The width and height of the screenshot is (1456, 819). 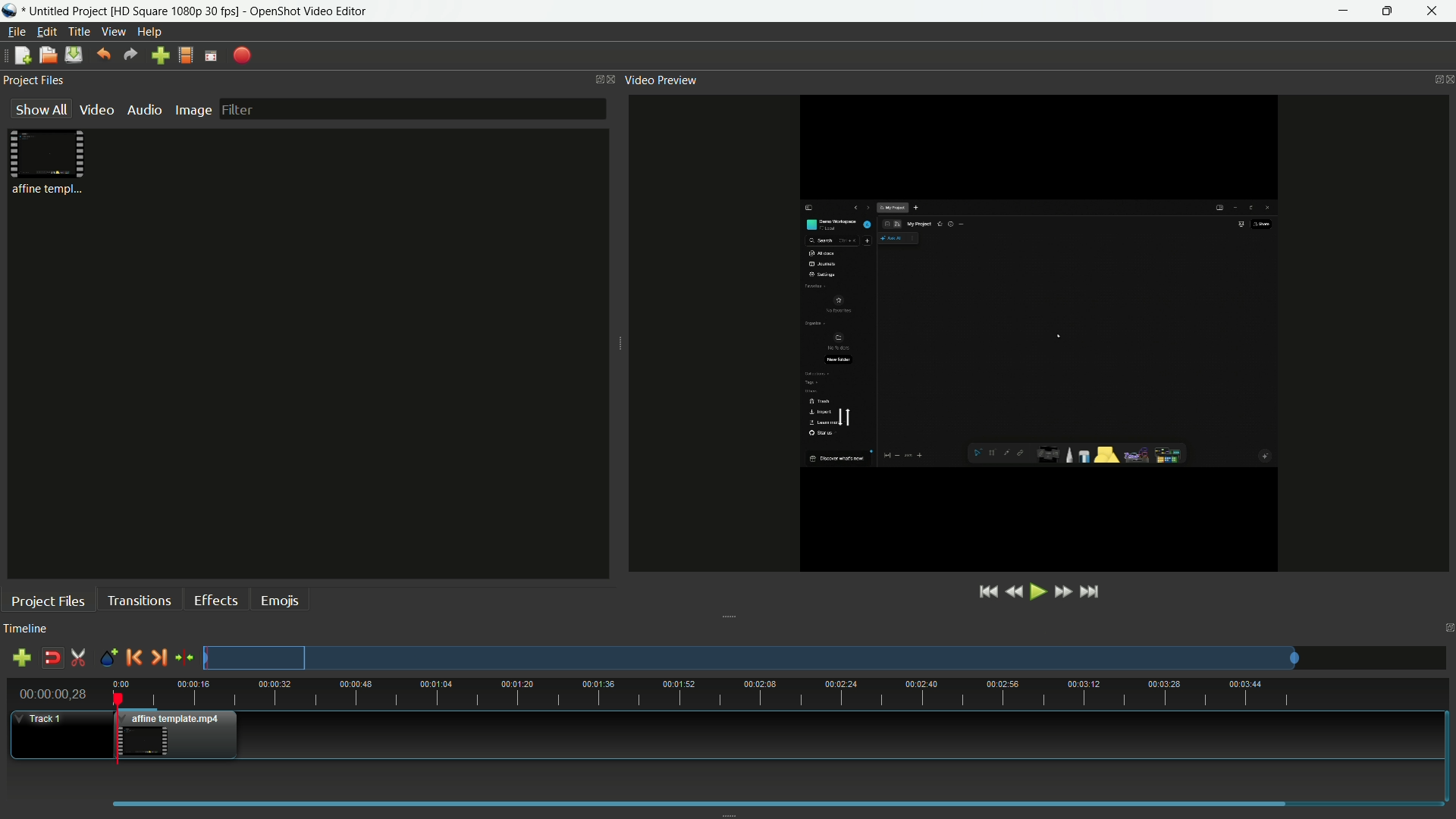 What do you see at coordinates (42, 719) in the screenshot?
I see `track 1` at bounding box center [42, 719].